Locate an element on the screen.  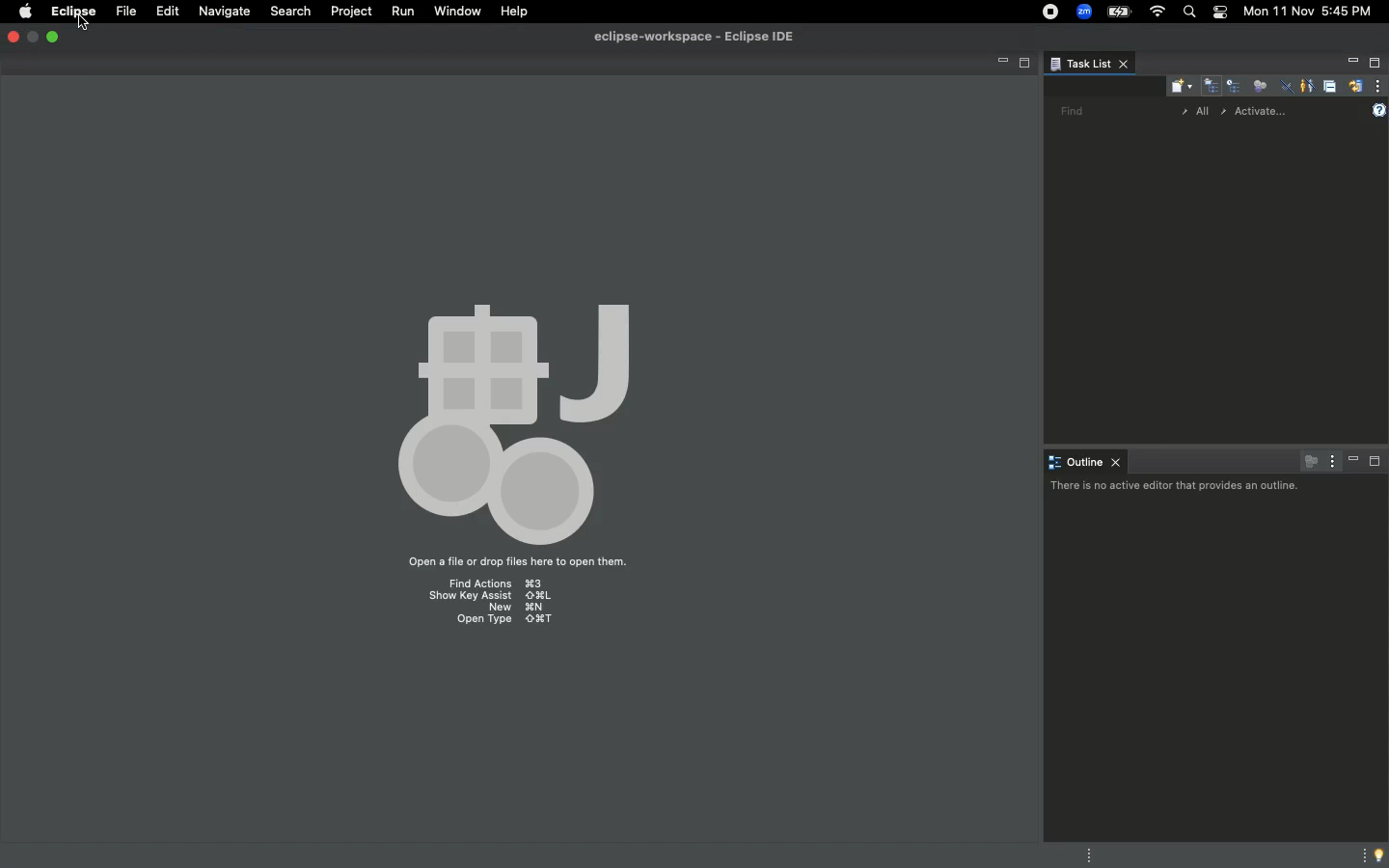
Edit is located at coordinates (166, 11).